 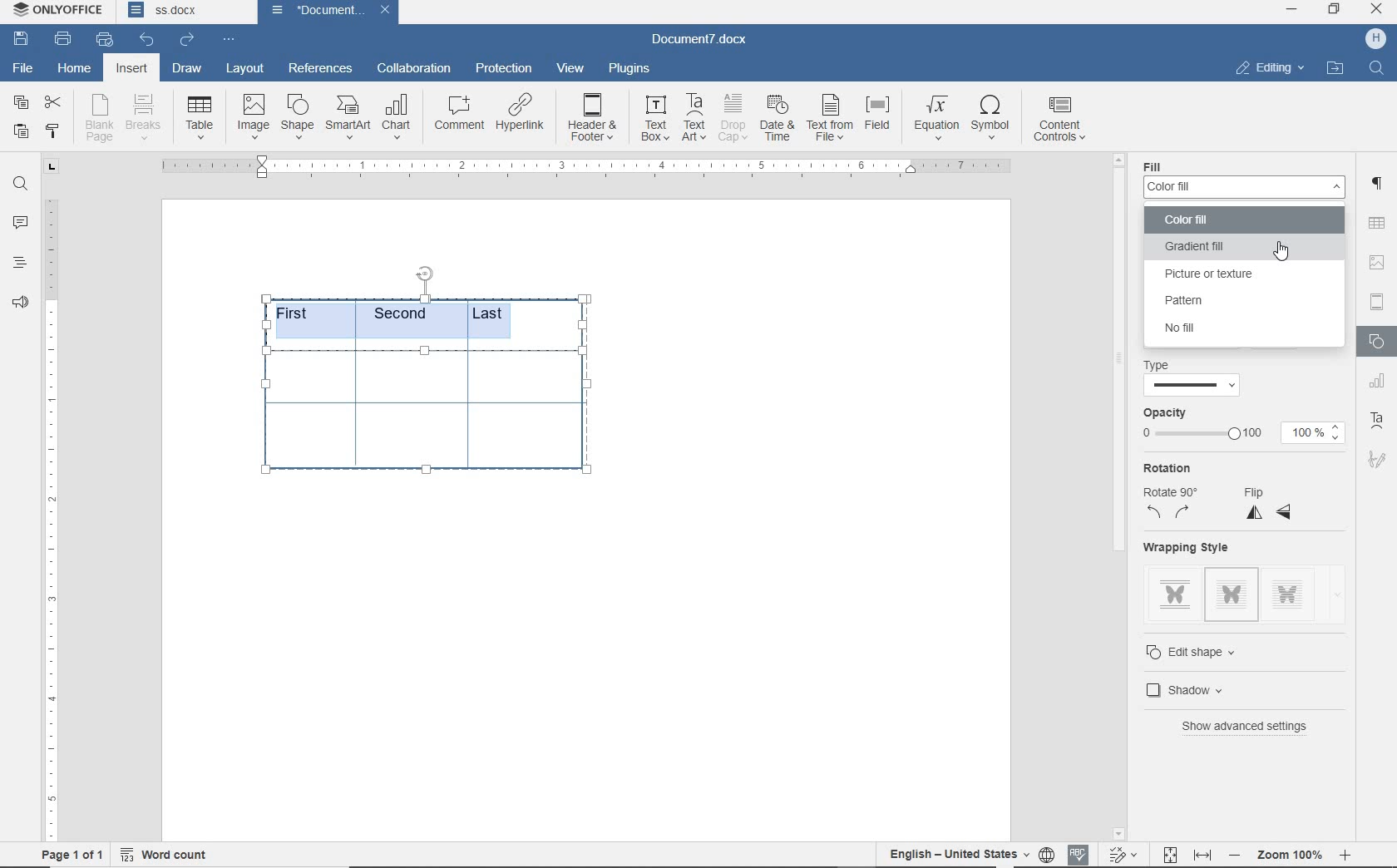 I want to click on style 1, so click(x=1175, y=591).